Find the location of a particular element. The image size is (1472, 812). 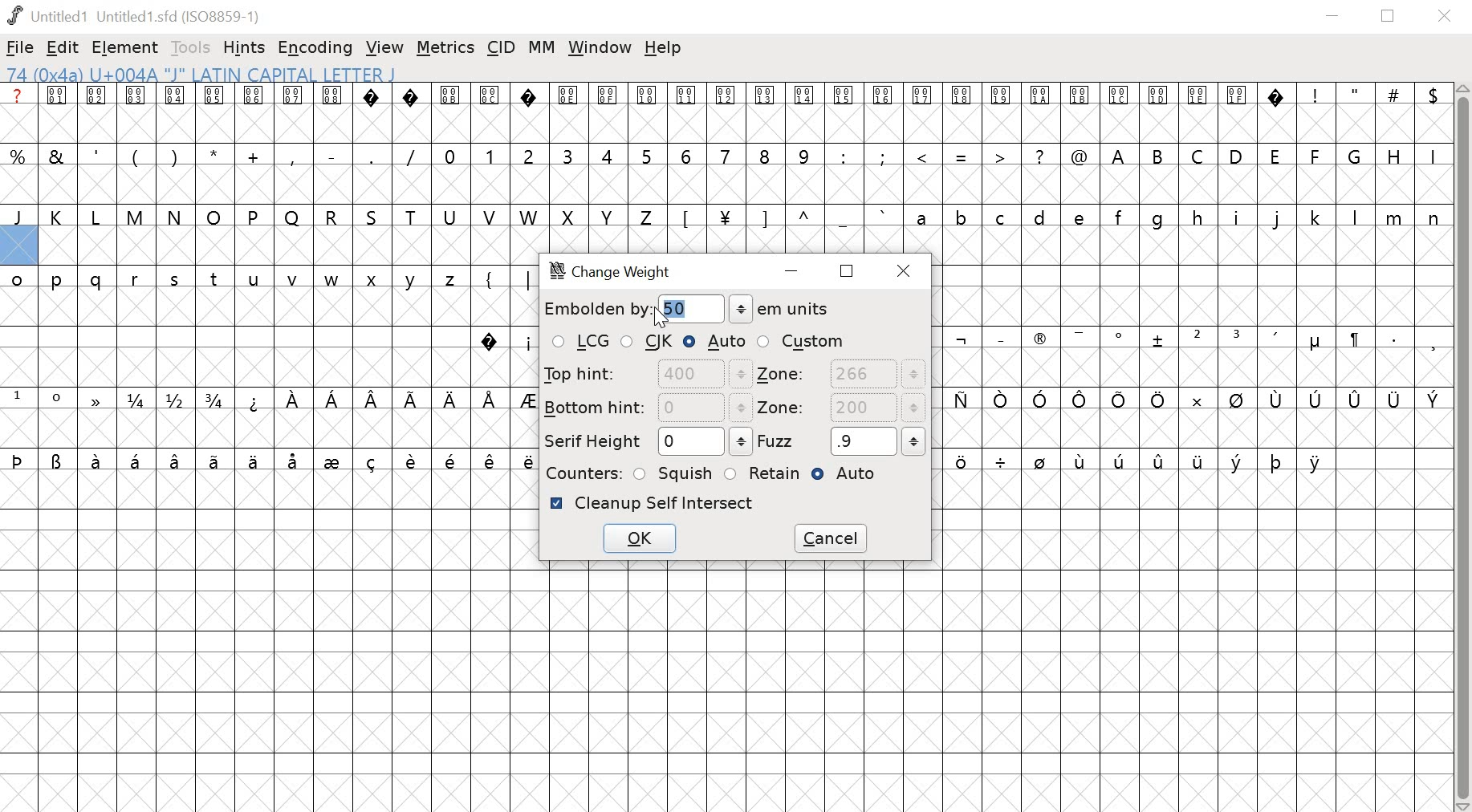

ZONE is located at coordinates (841, 375).